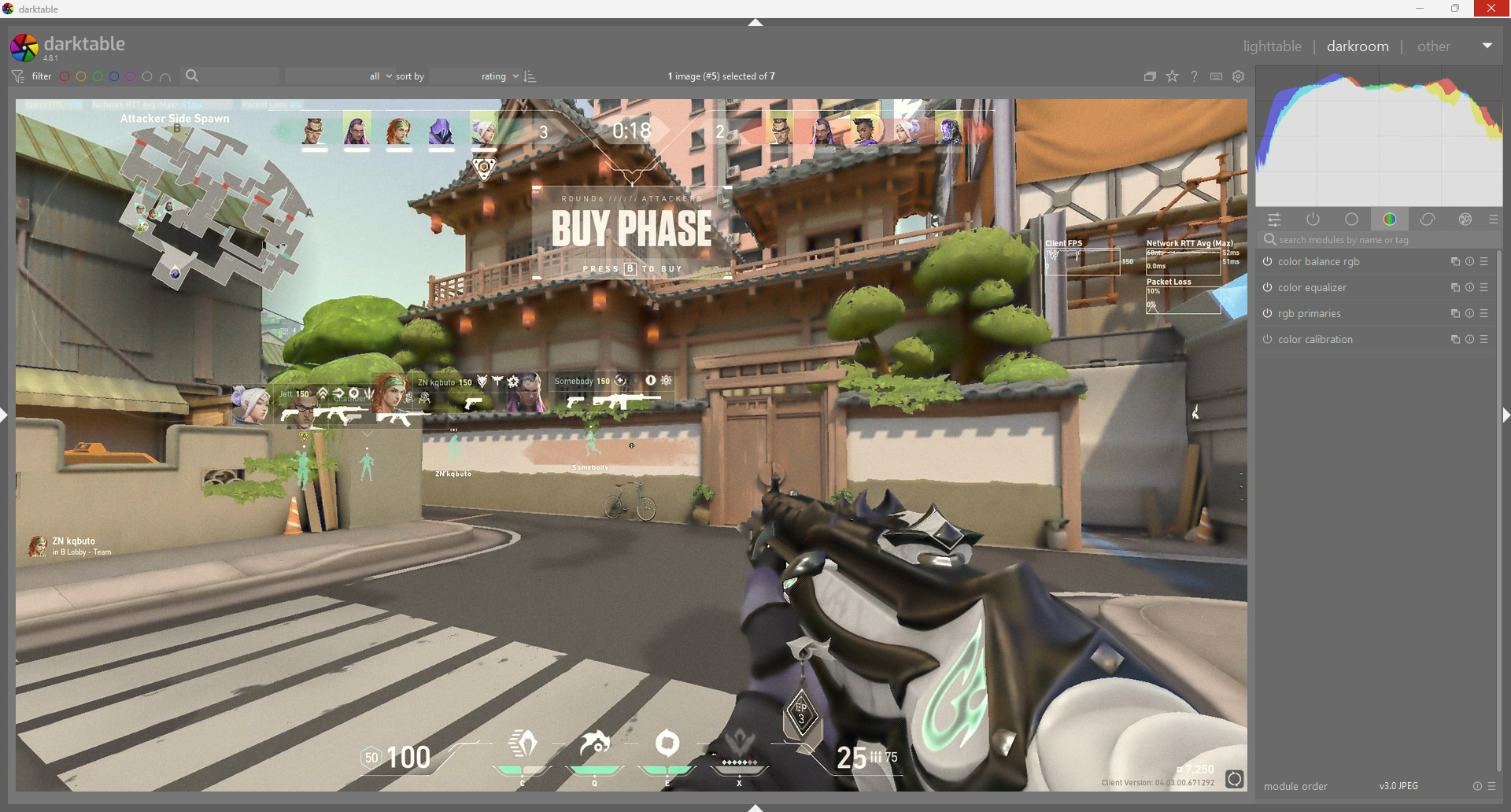  I want to click on collapse grouped images, so click(1149, 78).